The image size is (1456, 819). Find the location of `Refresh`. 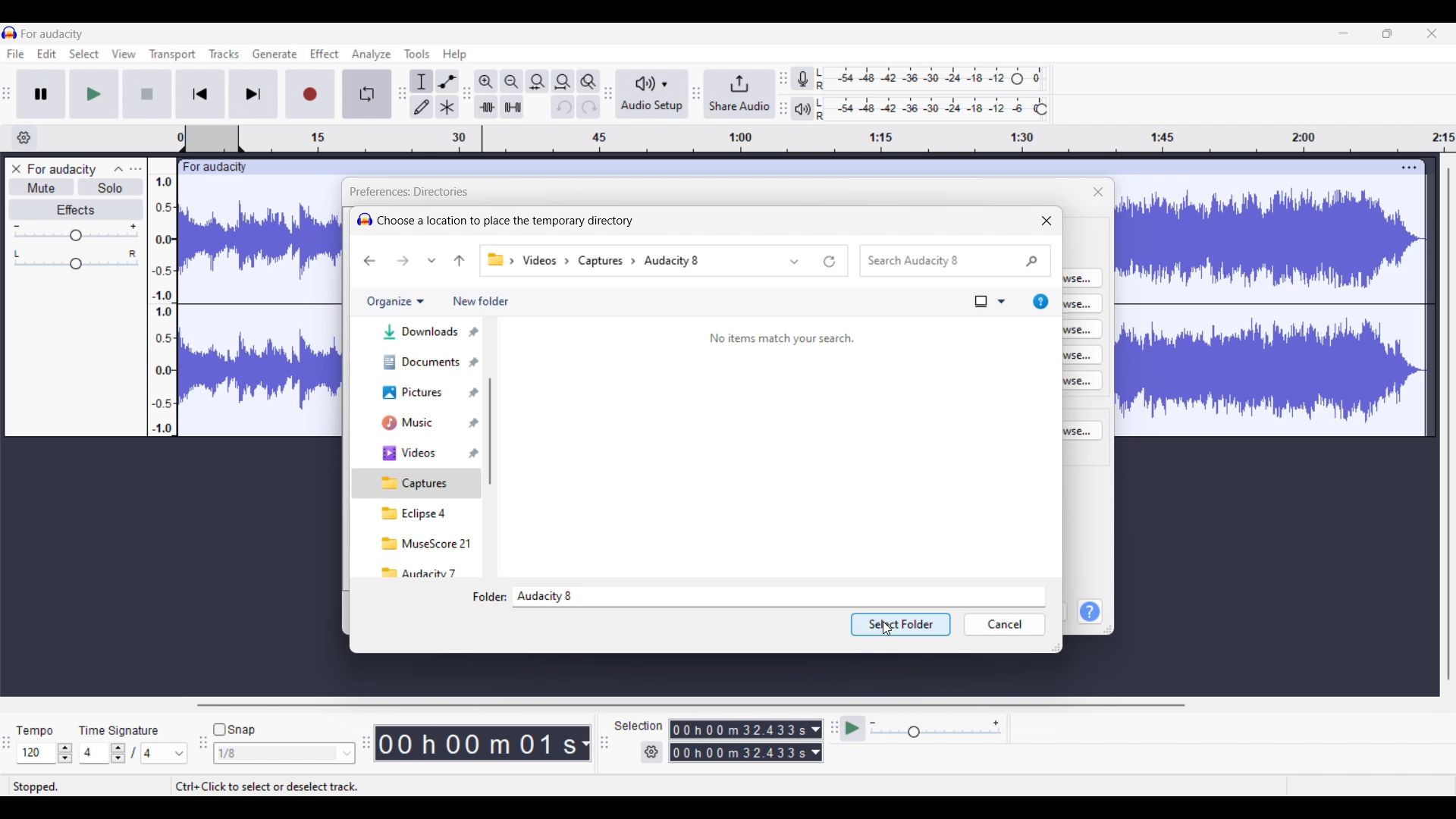

Refresh is located at coordinates (830, 262).